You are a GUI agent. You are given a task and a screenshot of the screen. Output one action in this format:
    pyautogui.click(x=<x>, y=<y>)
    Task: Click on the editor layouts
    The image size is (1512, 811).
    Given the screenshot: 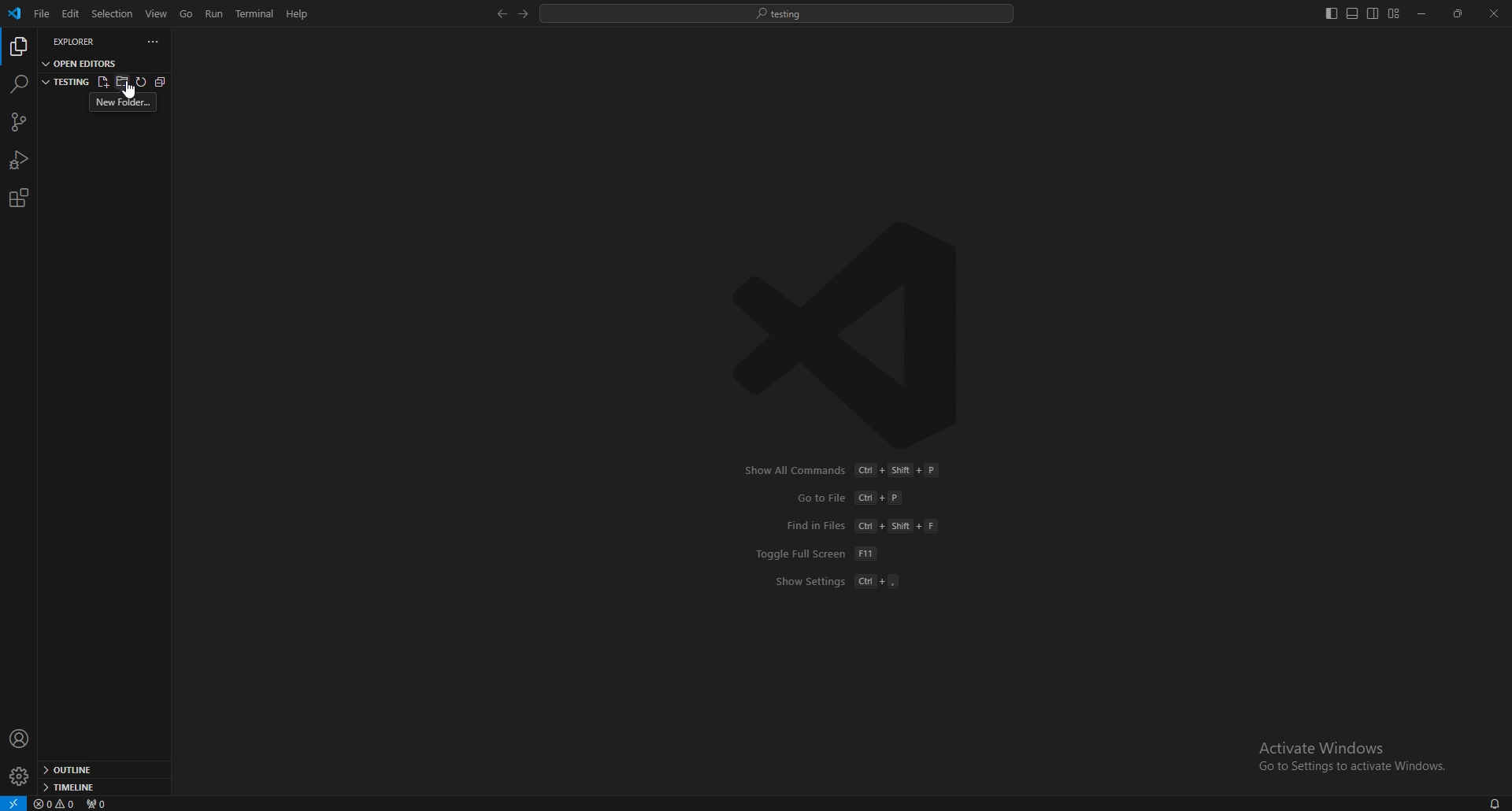 What is the action you would take?
    pyautogui.click(x=1362, y=13)
    